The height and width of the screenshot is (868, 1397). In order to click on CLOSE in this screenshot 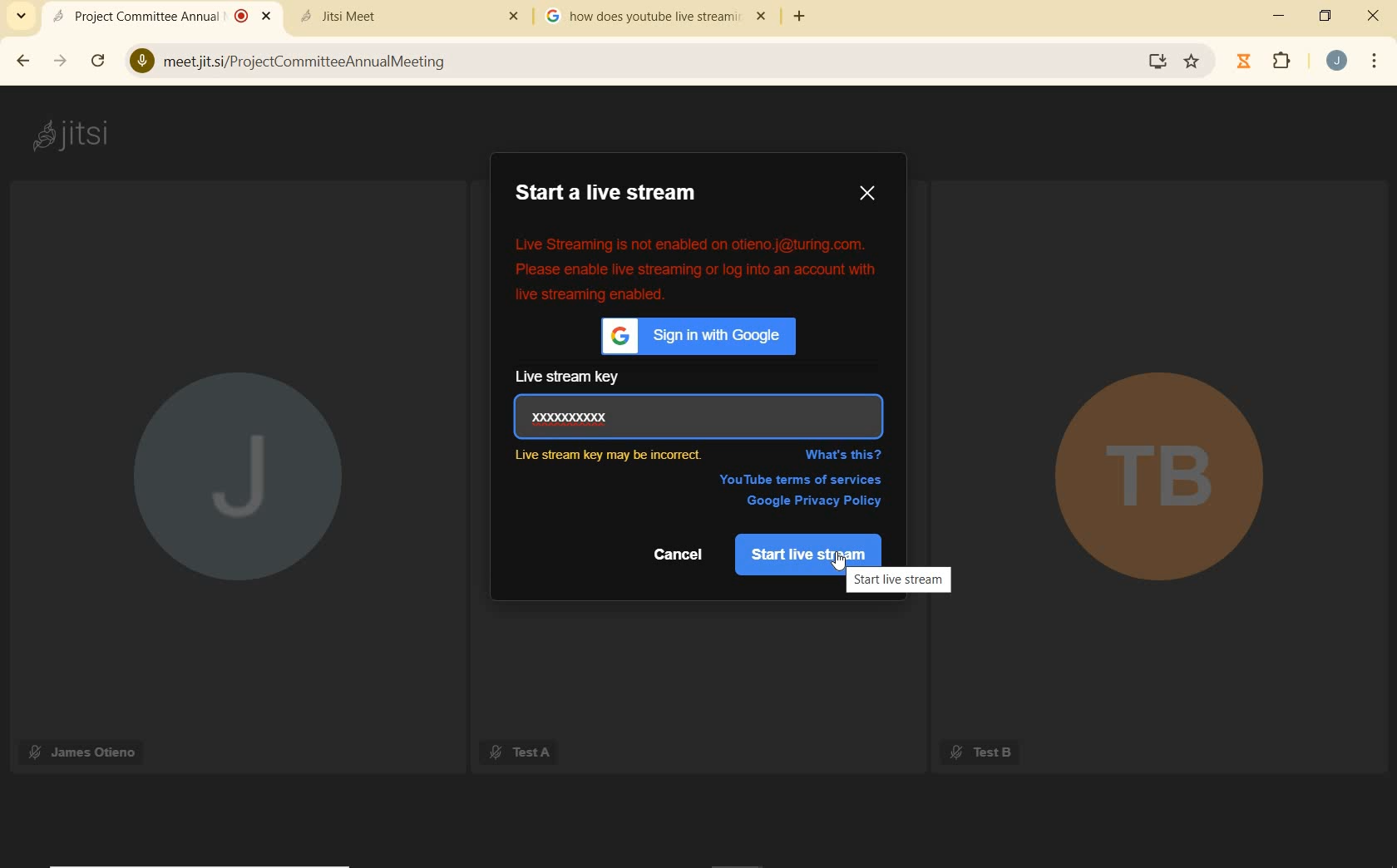, I will do `click(866, 195)`.